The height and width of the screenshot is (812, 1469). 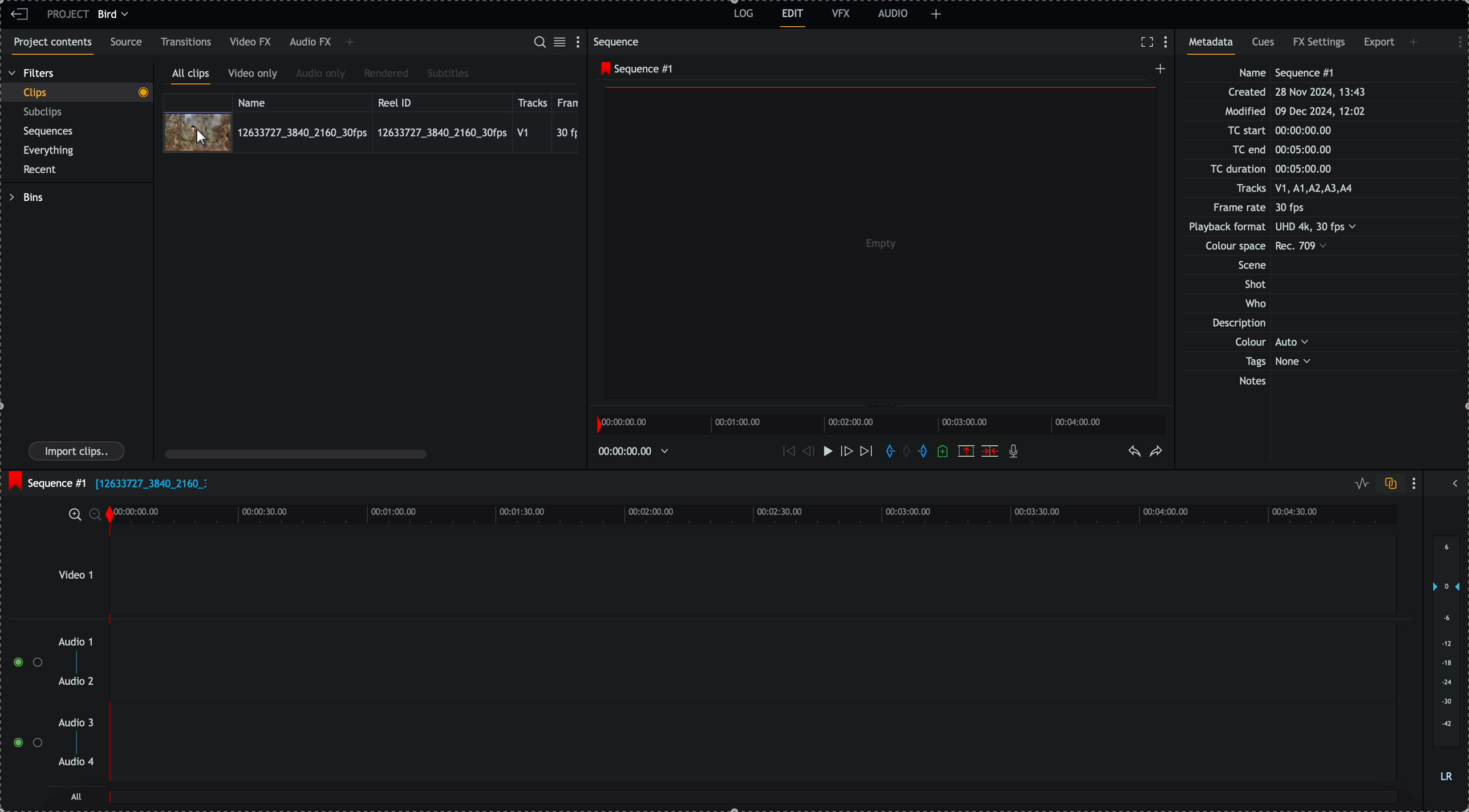 What do you see at coordinates (91, 14) in the screenshot?
I see `project bird` at bounding box center [91, 14].